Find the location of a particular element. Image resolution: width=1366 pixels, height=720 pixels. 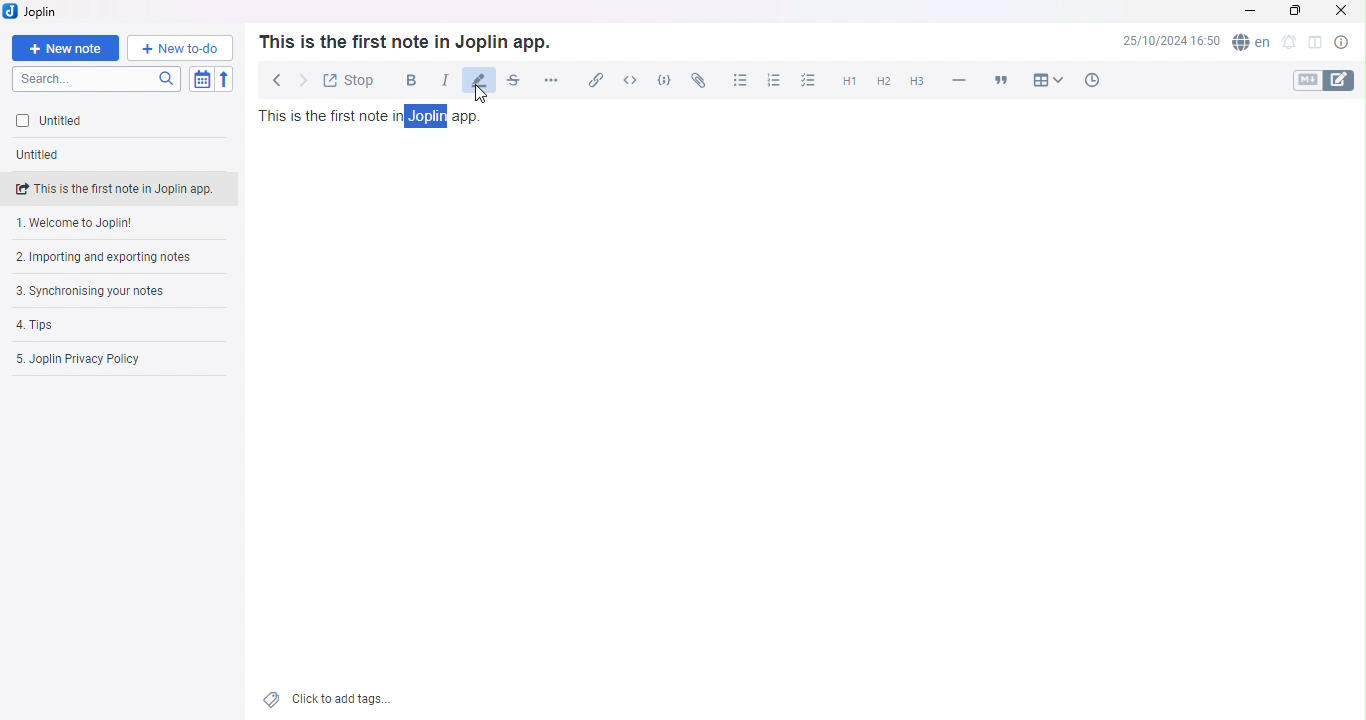

Note properties is located at coordinates (1342, 43).